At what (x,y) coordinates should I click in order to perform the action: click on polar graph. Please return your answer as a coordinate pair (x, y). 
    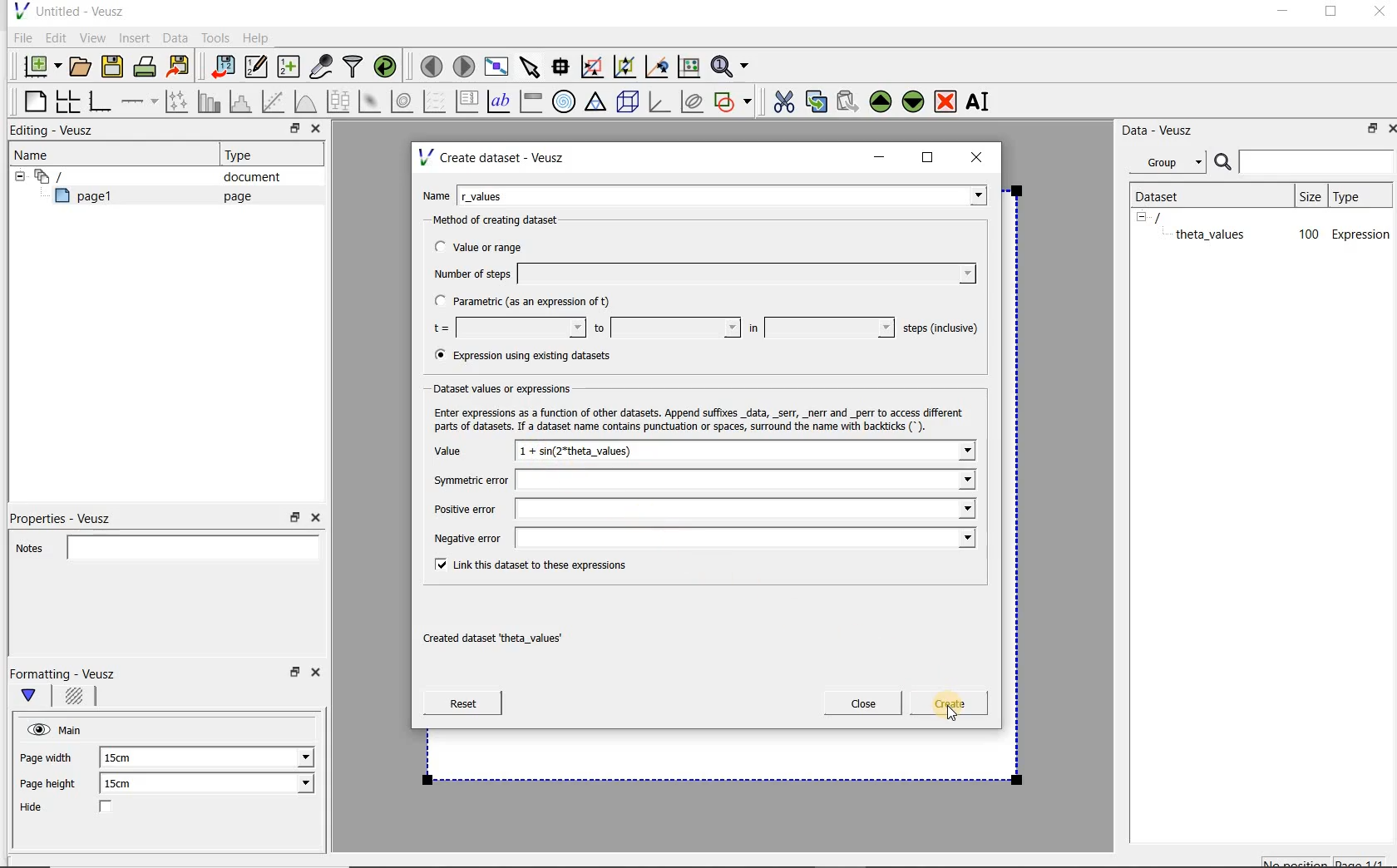
    Looking at the image, I should click on (565, 101).